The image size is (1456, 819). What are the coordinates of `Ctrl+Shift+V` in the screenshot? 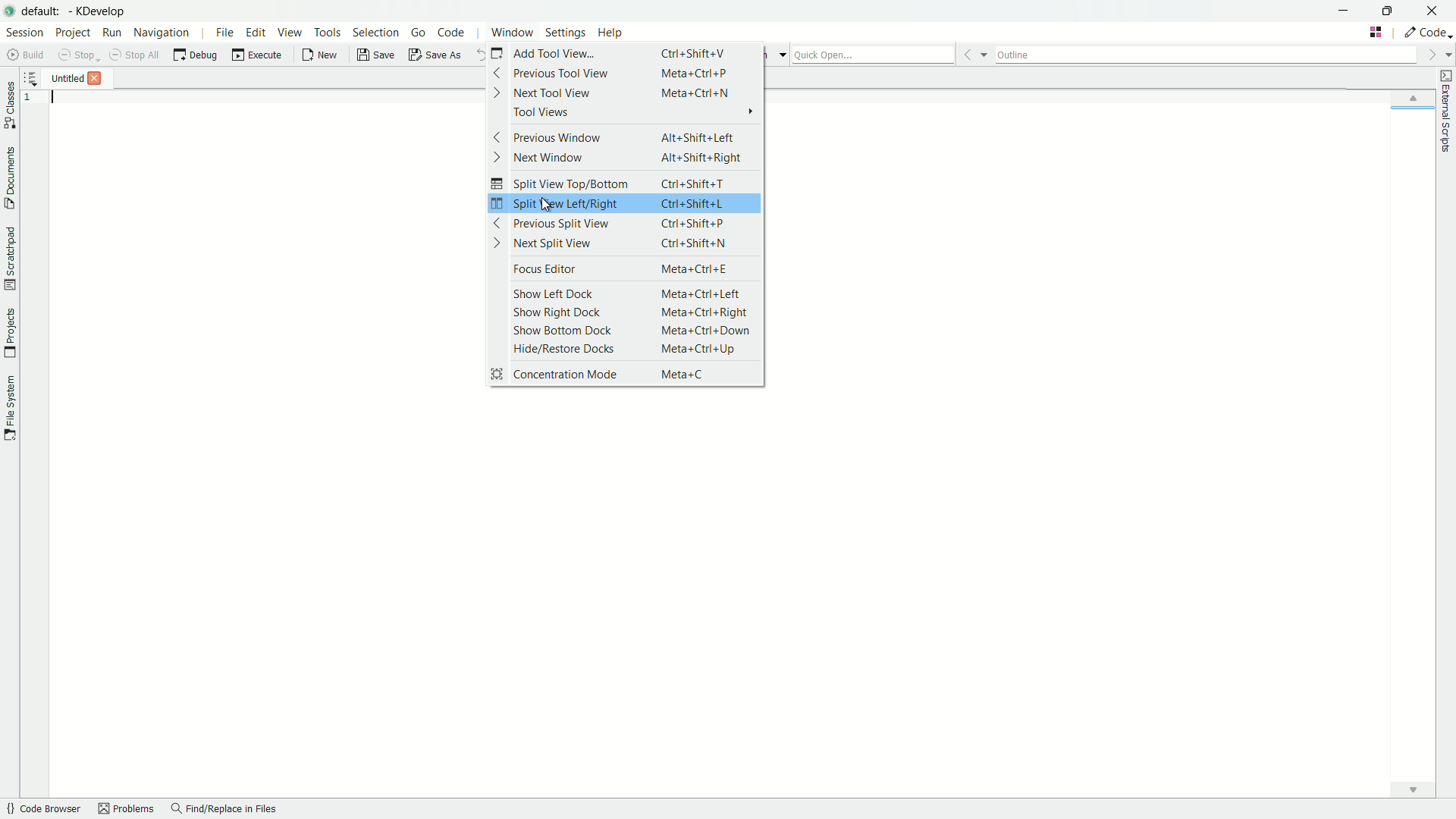 It's located at (701, 52).